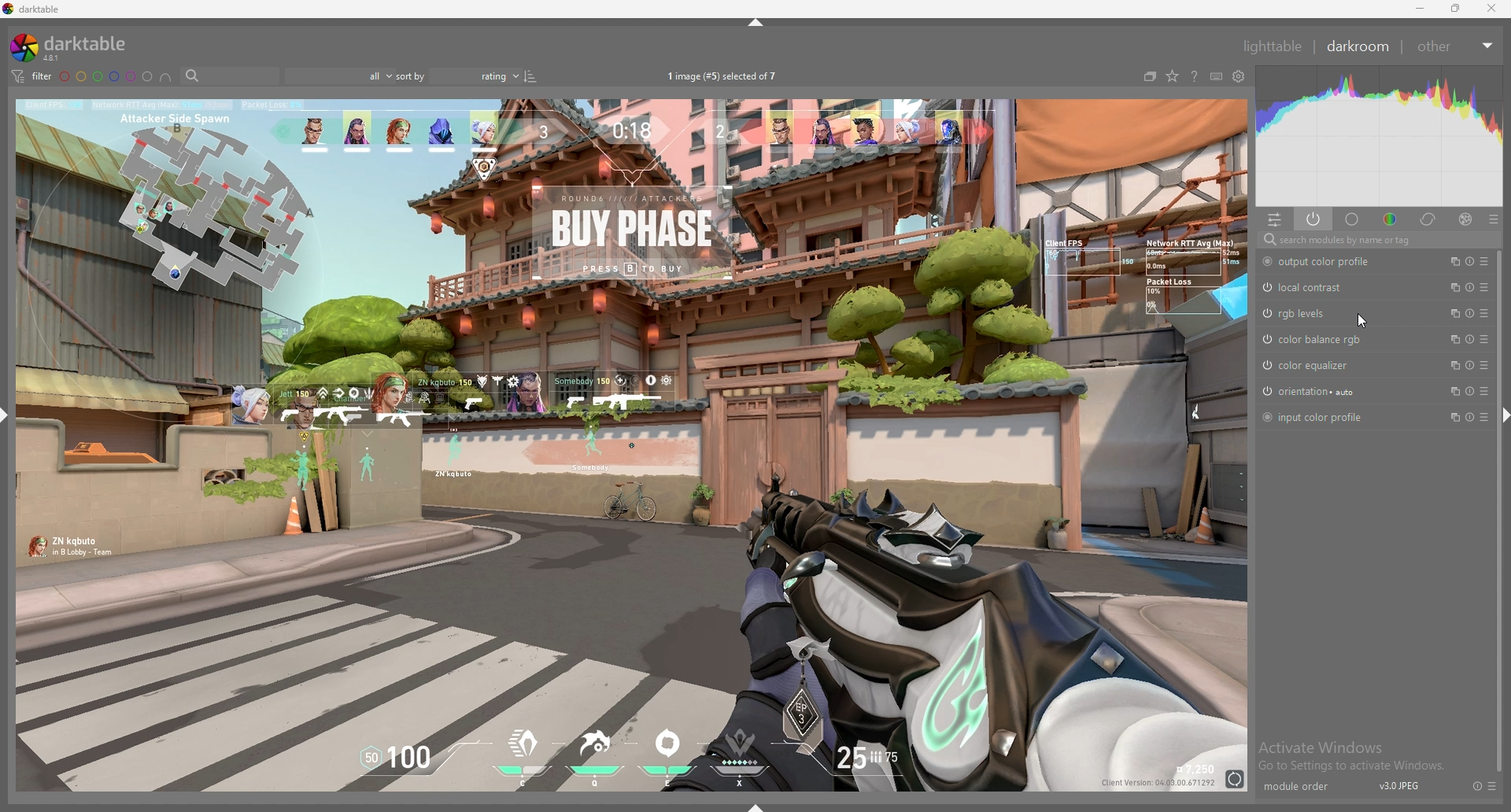 This screenshot has height=812, width=1511. I want to click on version, so click(1400, 788).